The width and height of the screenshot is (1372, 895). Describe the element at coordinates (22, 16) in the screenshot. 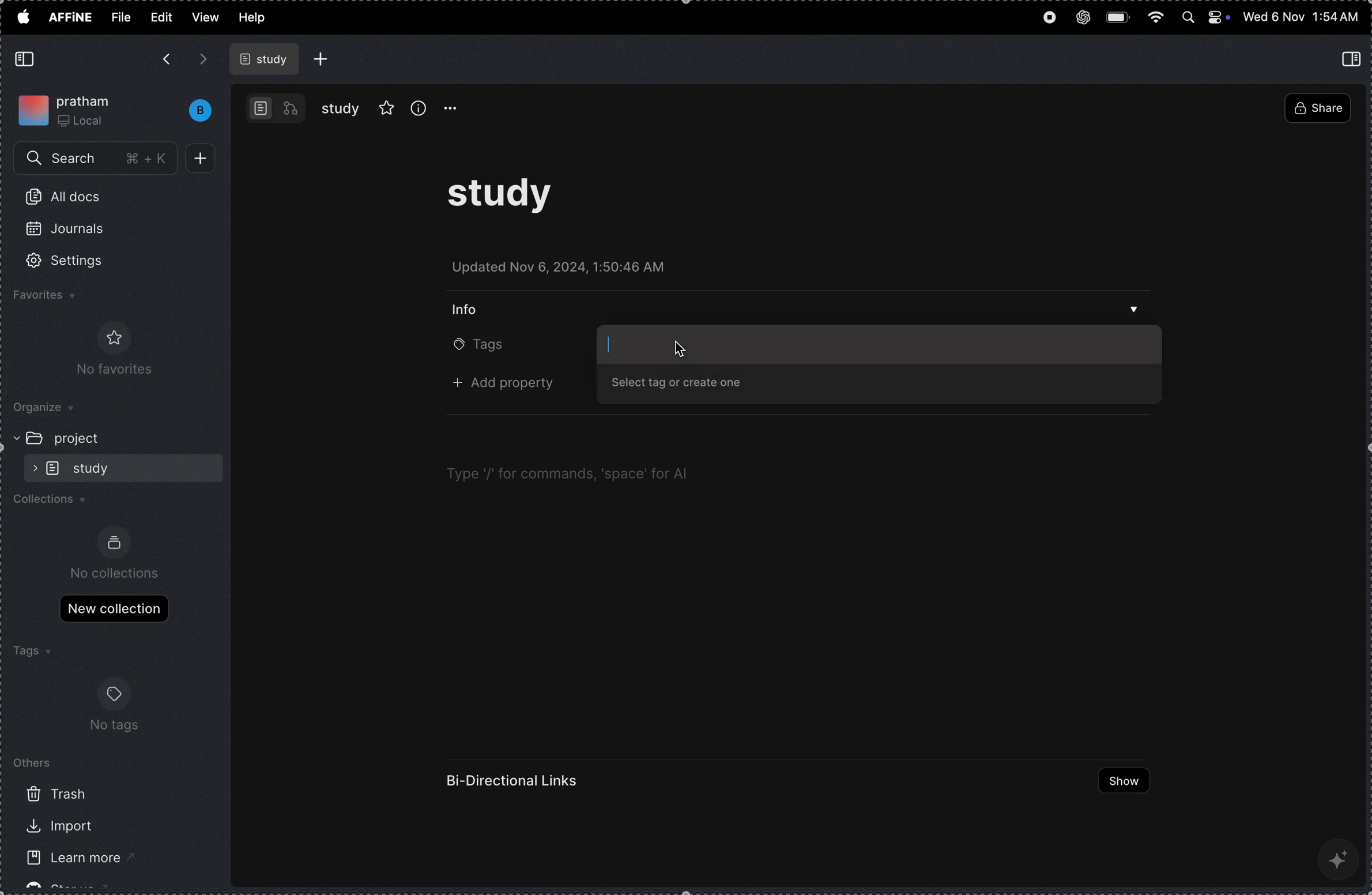

I see `apple menu` at that location.